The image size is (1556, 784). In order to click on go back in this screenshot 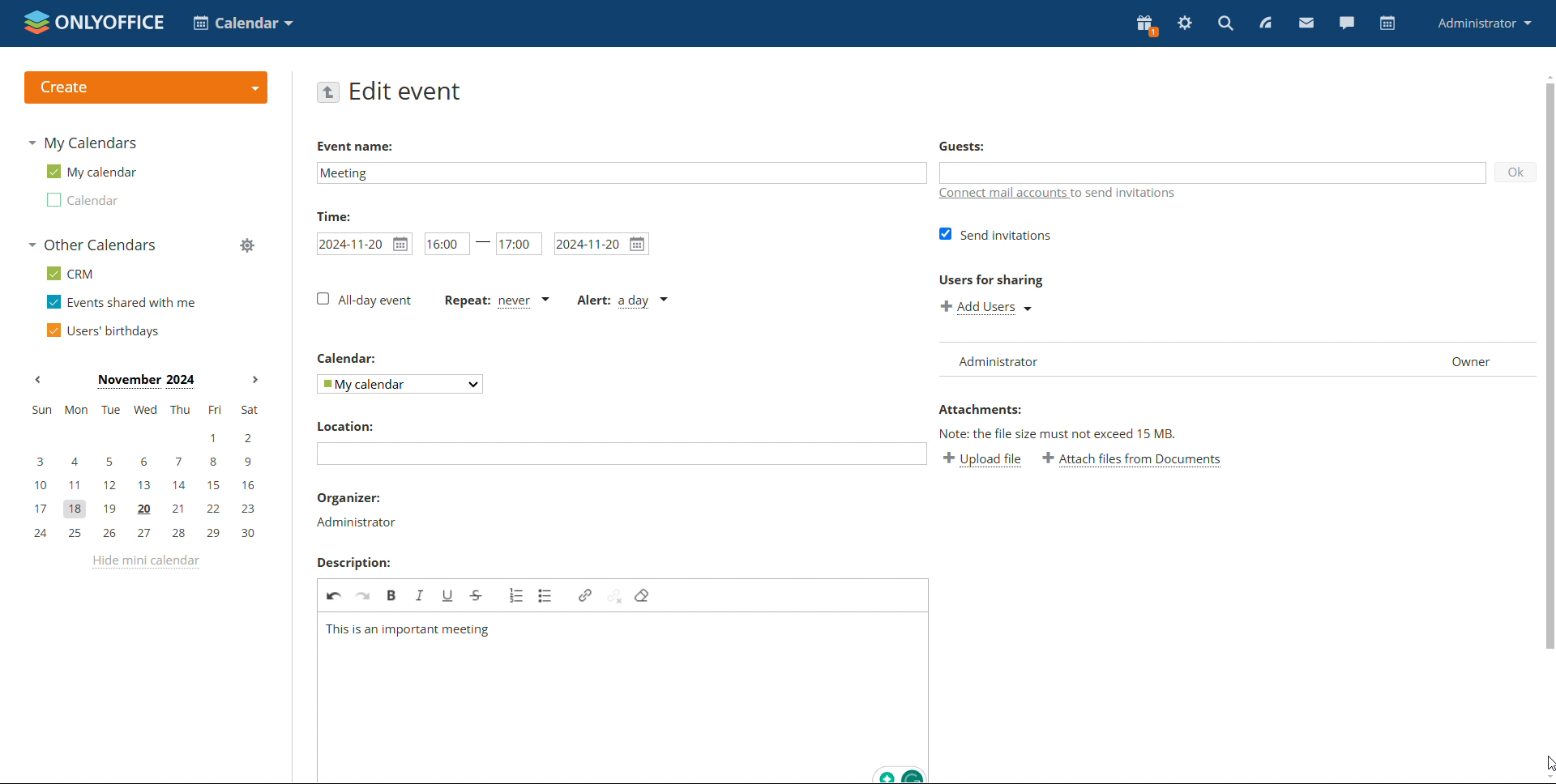, I will do `click(328, 93)`.